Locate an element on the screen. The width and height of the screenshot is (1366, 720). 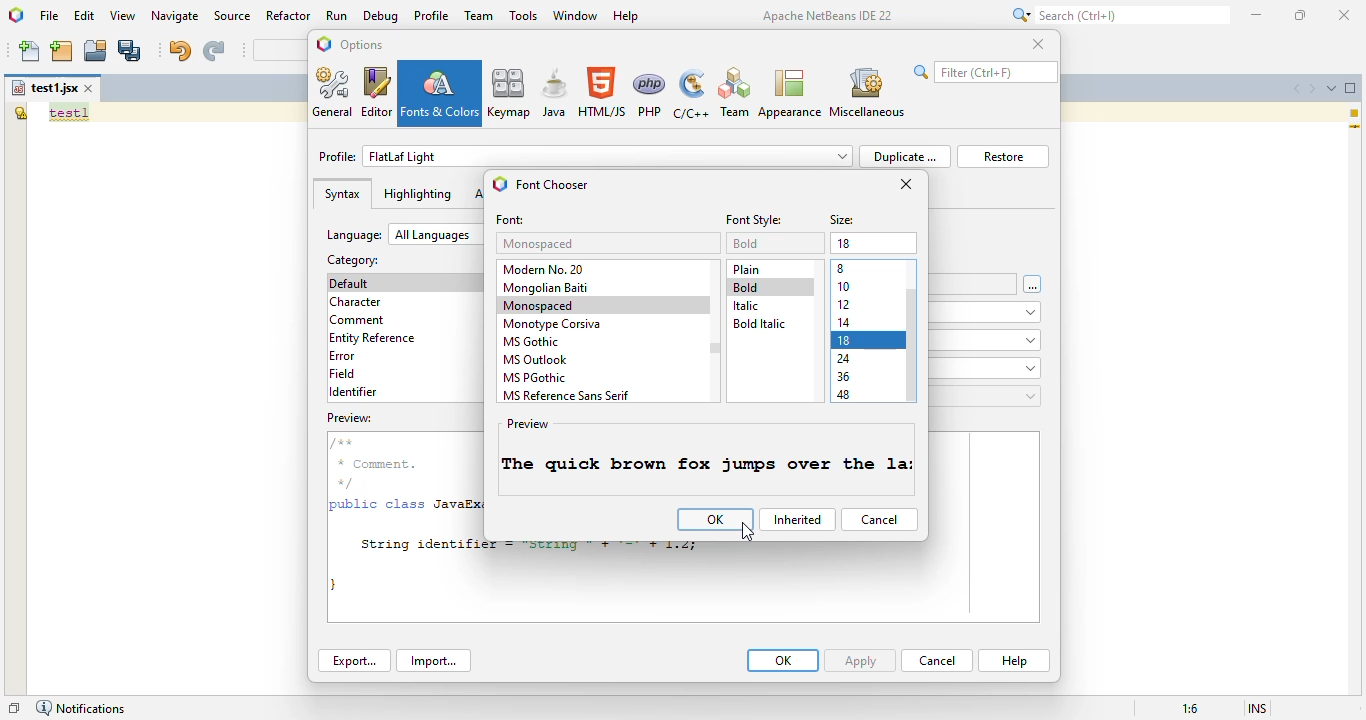
debug is located at coordinates (382, 16).